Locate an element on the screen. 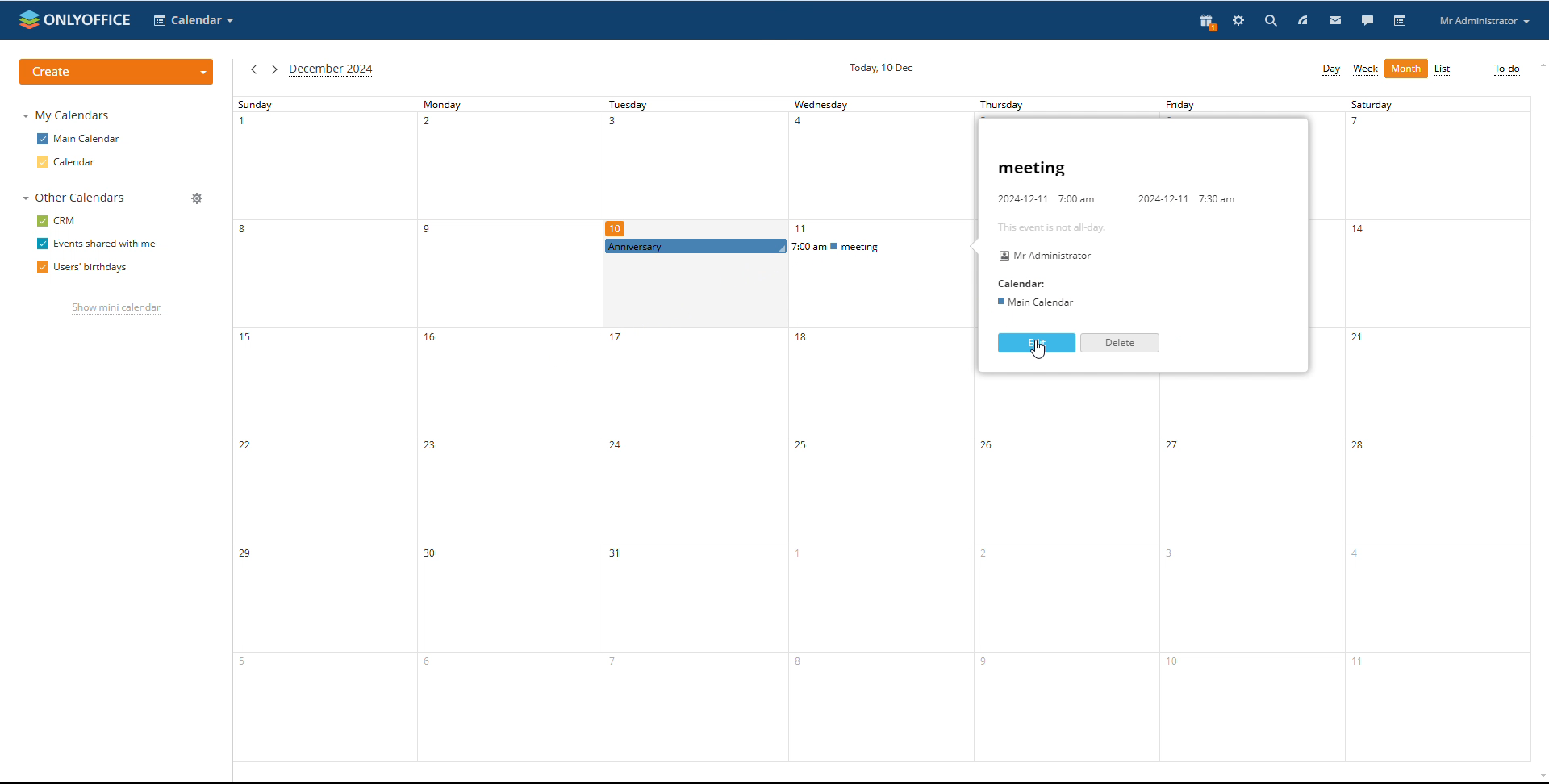 The height and width of the screenshot is (784, 1549). profile is located at coordinates (1484, 21).